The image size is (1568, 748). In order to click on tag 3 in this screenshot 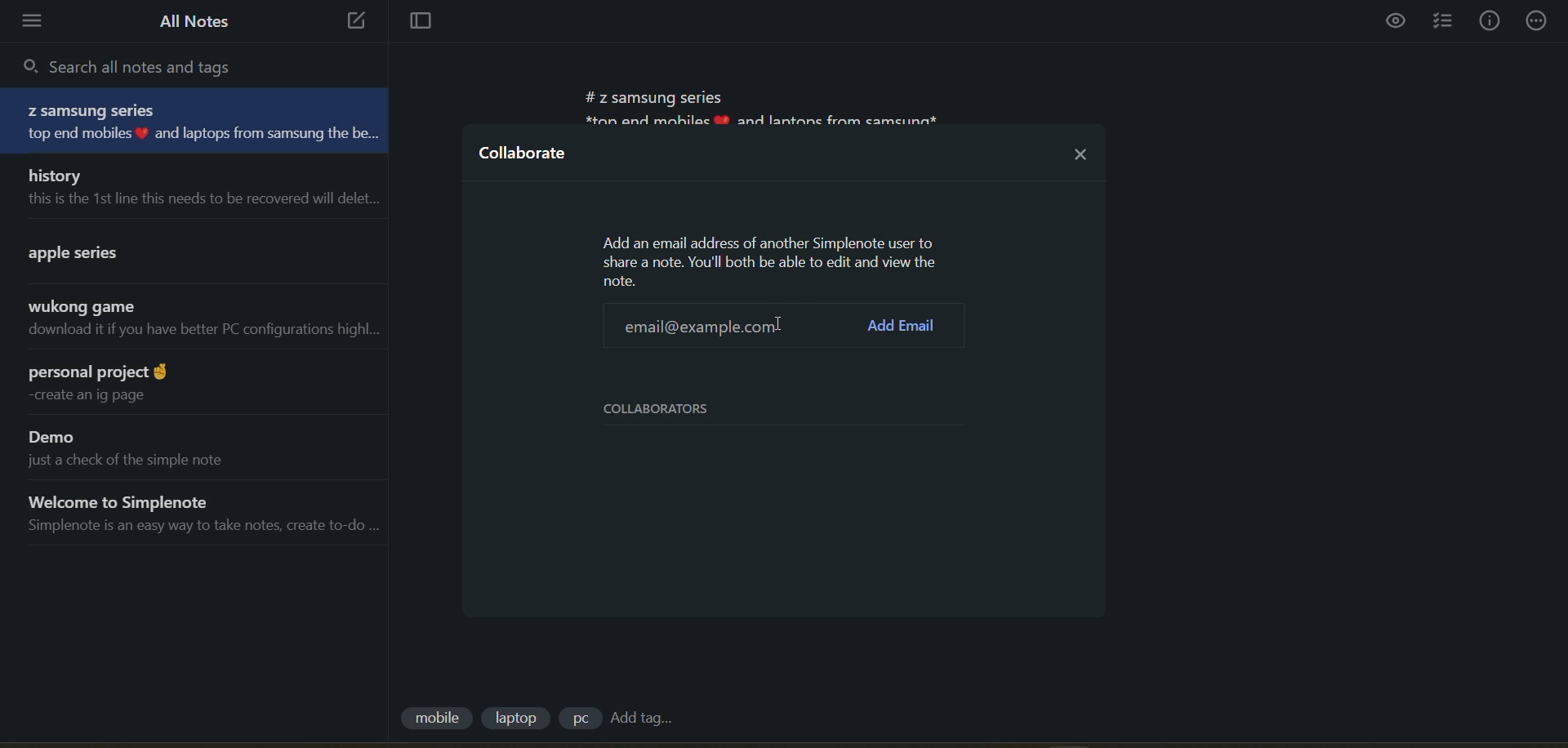, I will do `click(579, 718)`.